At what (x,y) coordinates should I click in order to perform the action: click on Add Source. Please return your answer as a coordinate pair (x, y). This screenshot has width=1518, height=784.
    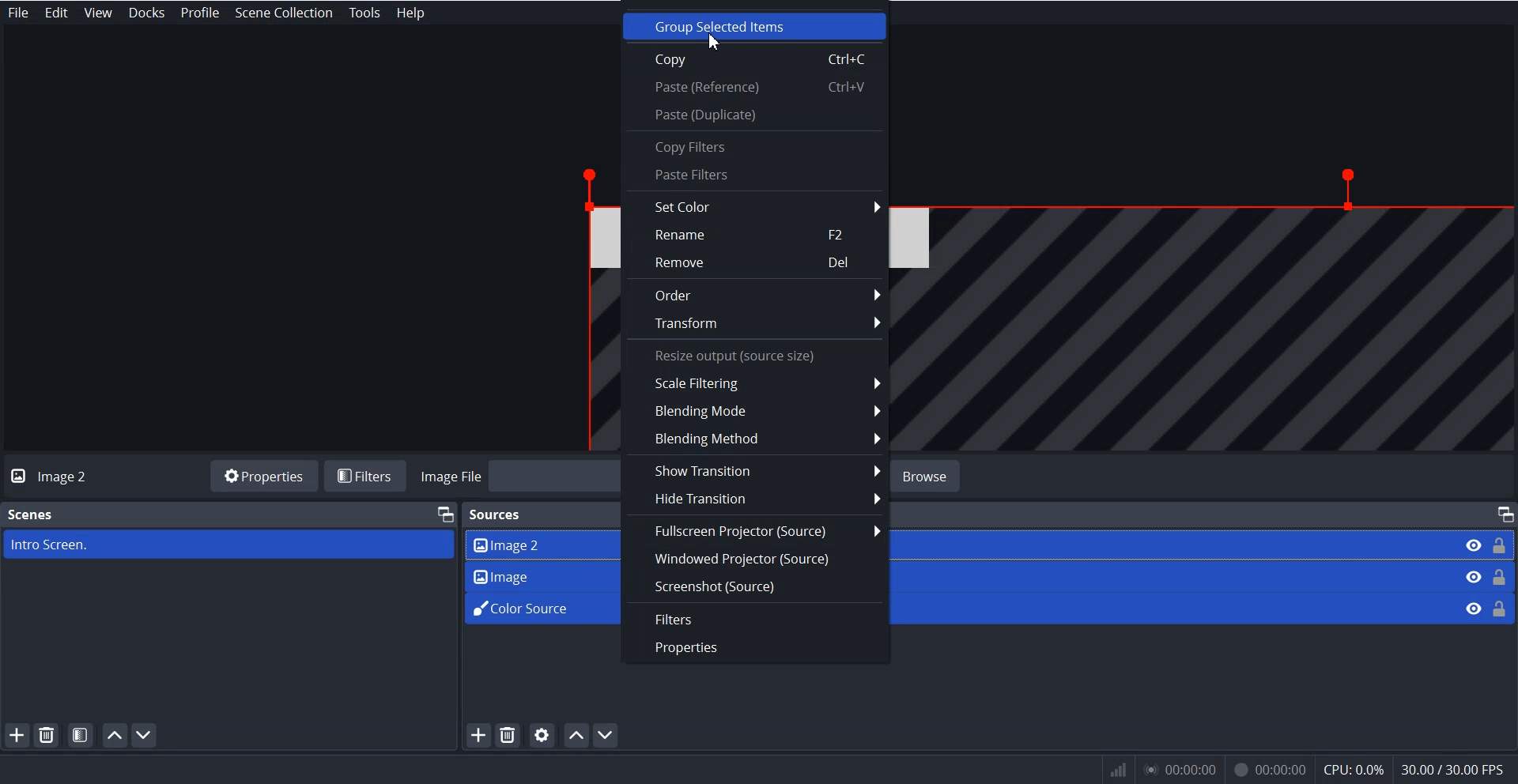
    Looking at the image, I should click on (476, 736).